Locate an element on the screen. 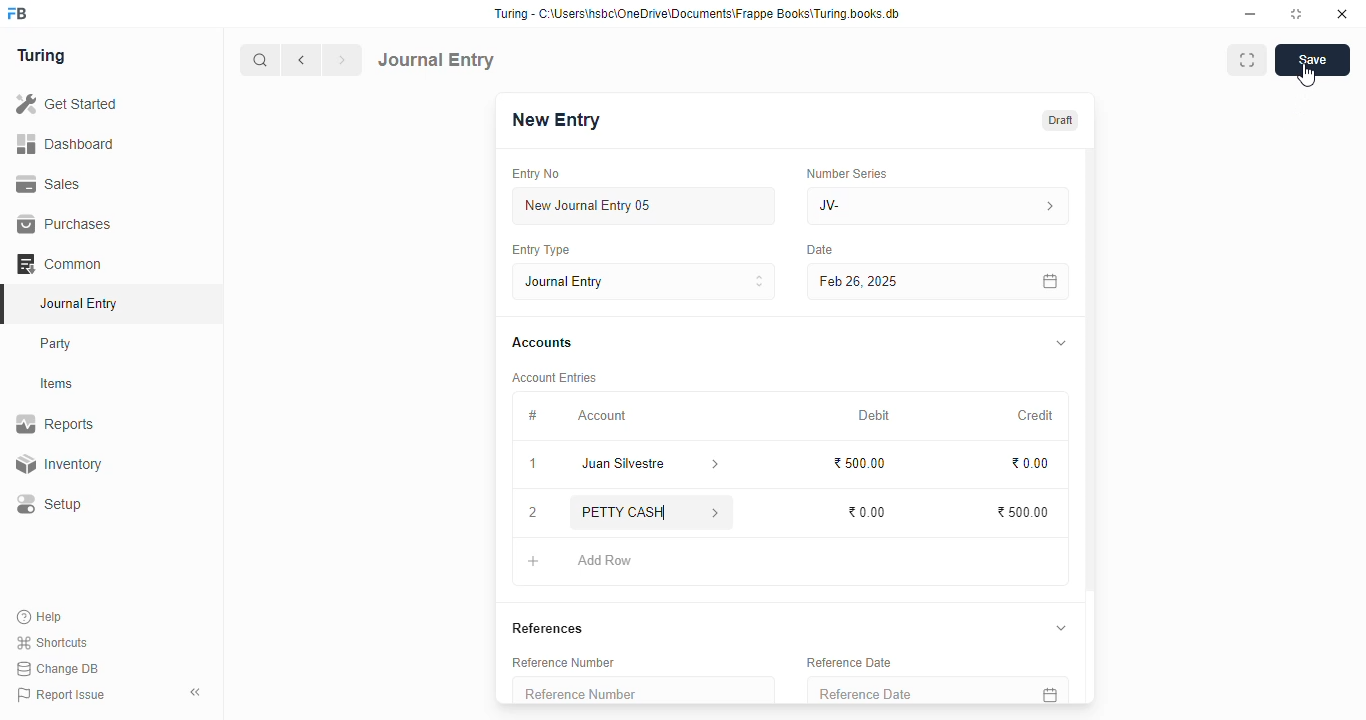 The width and height of the screenshot is (1366, 720). reference number is located at coordinates (642, 690).